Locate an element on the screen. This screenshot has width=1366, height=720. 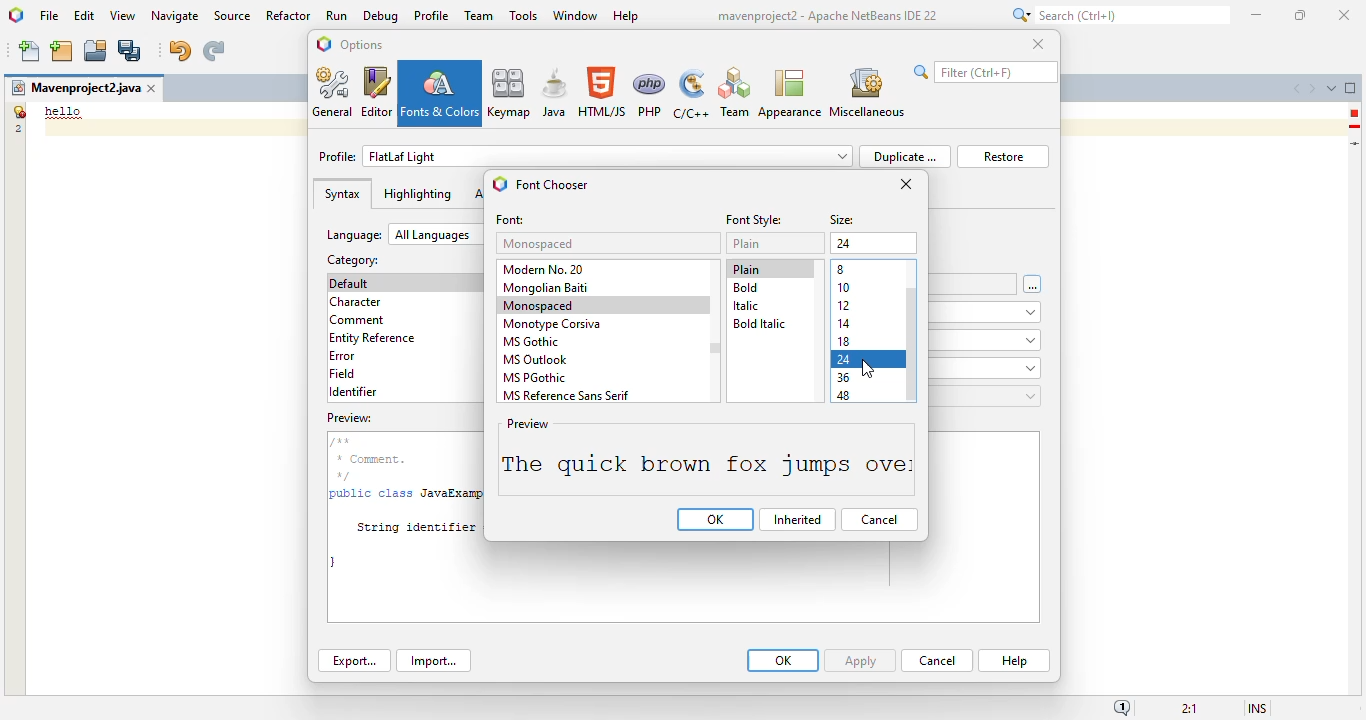
close window is located at coordinates (153, 88).